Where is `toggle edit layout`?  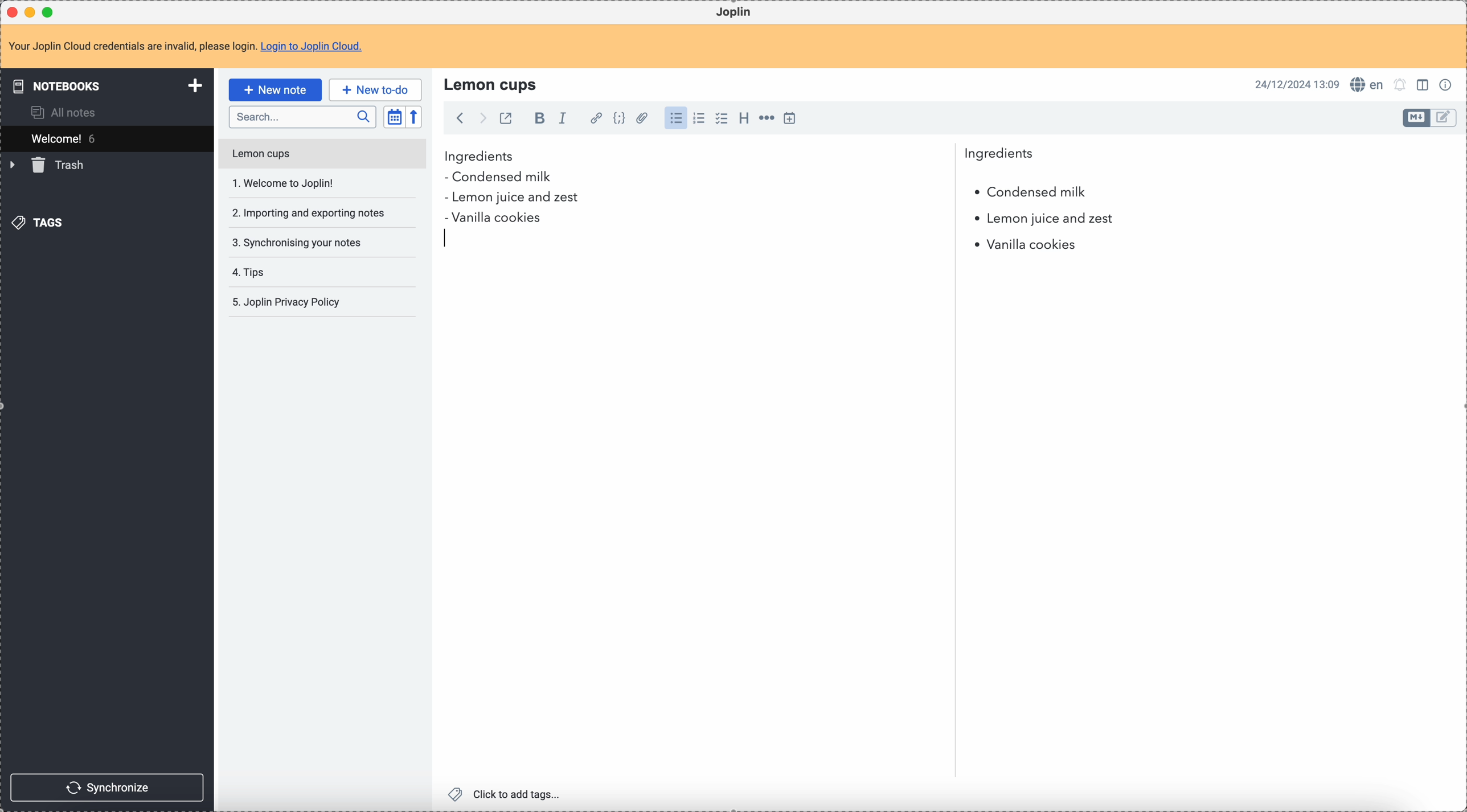
toggle edit layout is located at coordinates (1417, 118).